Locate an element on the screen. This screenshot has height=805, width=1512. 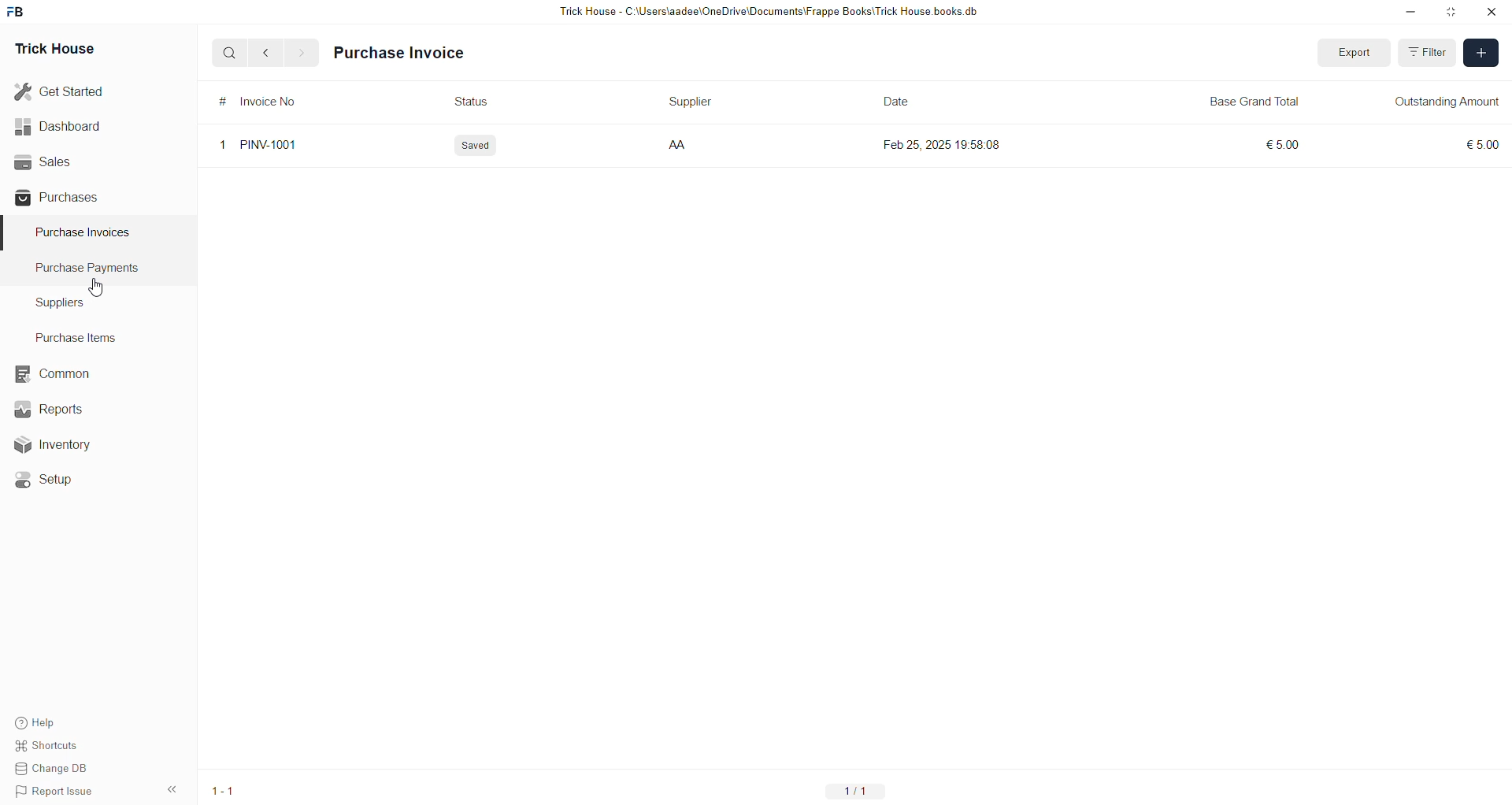
close is located at coordinates (1492, 12).